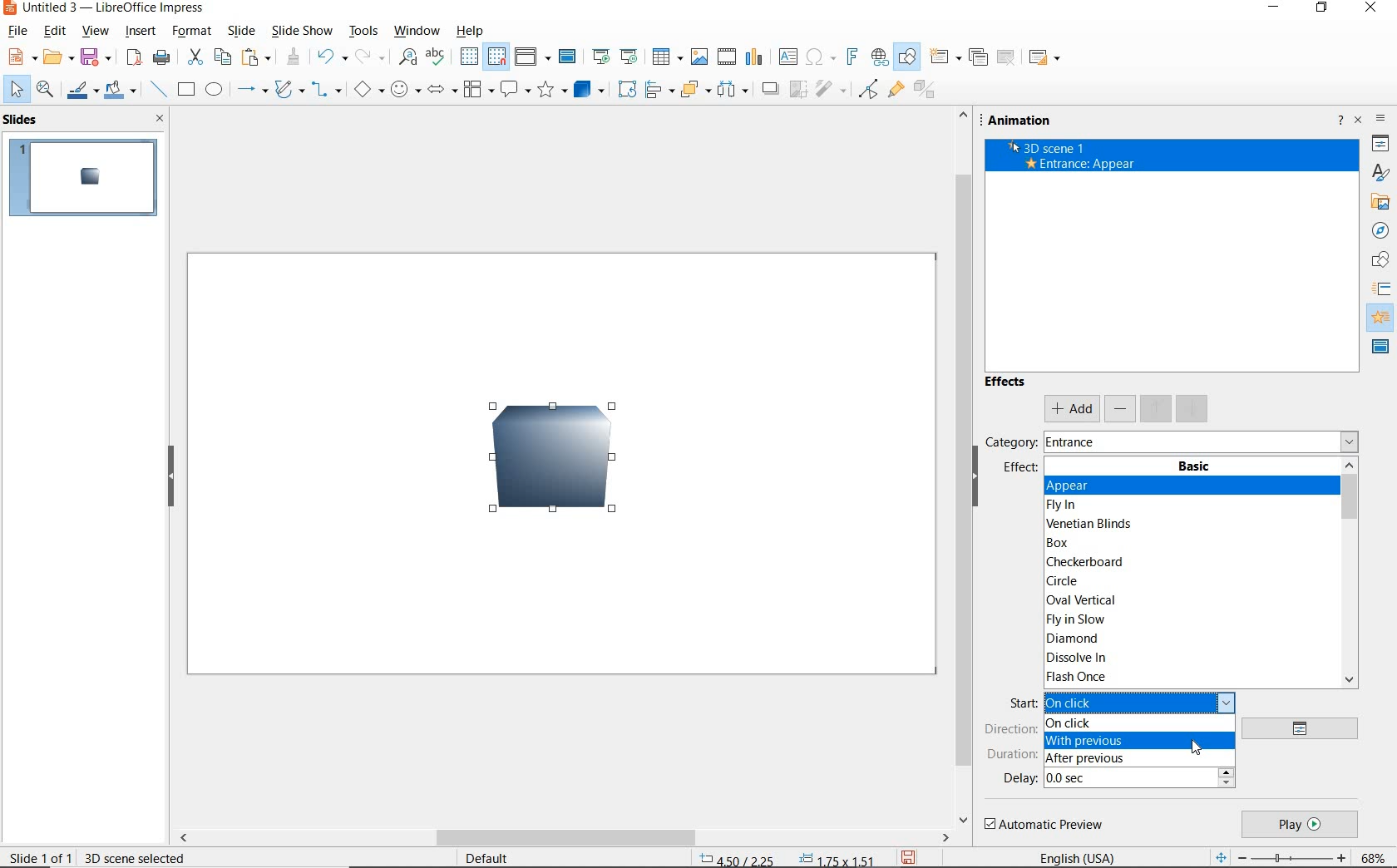  Describe the element at coordinates (1091, 523) in the screenshot. I see `VENETIAN BLINDS` at that location.